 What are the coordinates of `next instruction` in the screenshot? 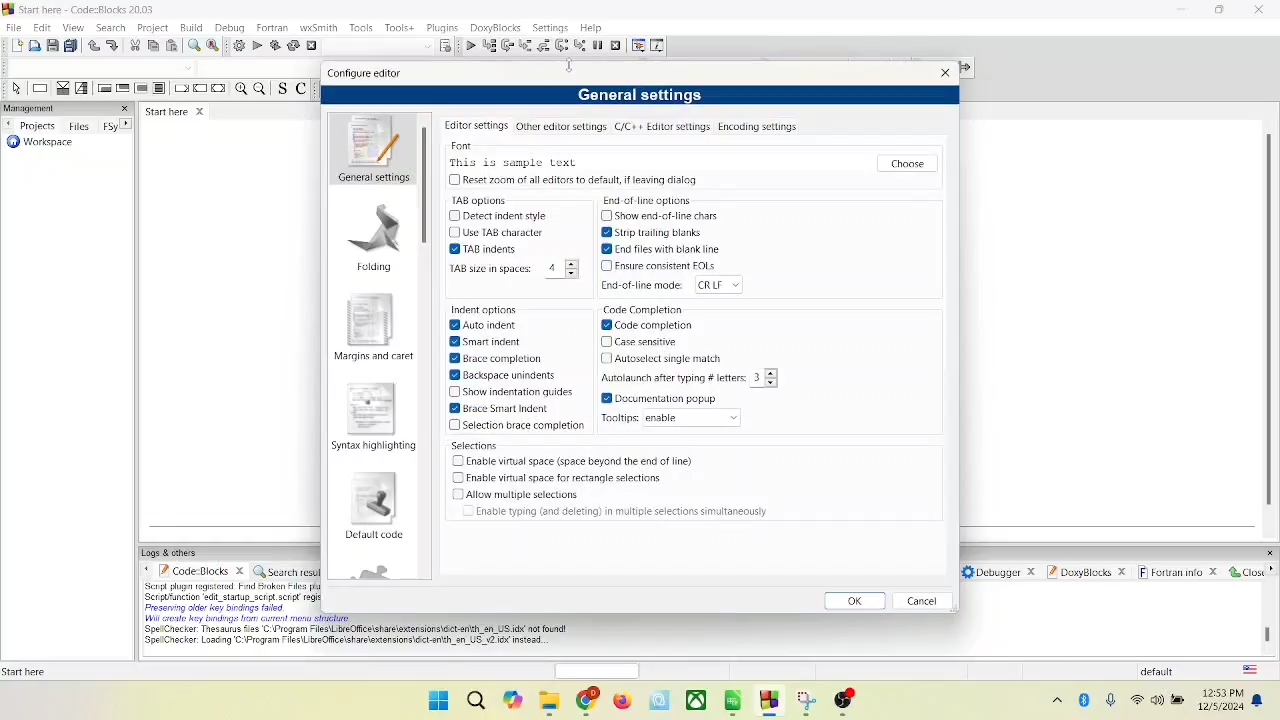 It's located at (561, 44).